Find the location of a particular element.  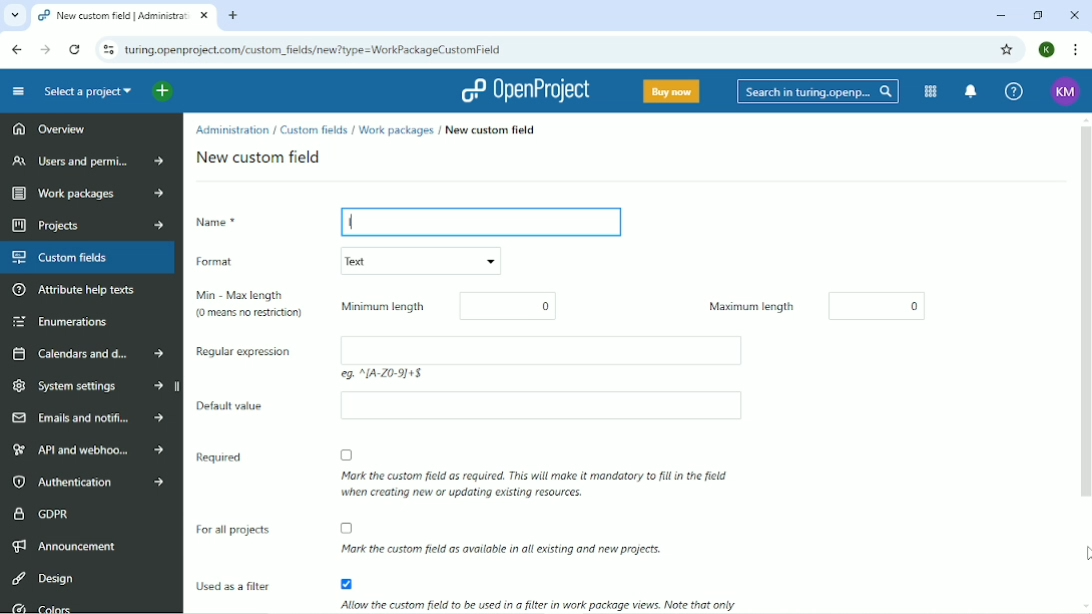

Enumerations is located at coordinates (59, 322).